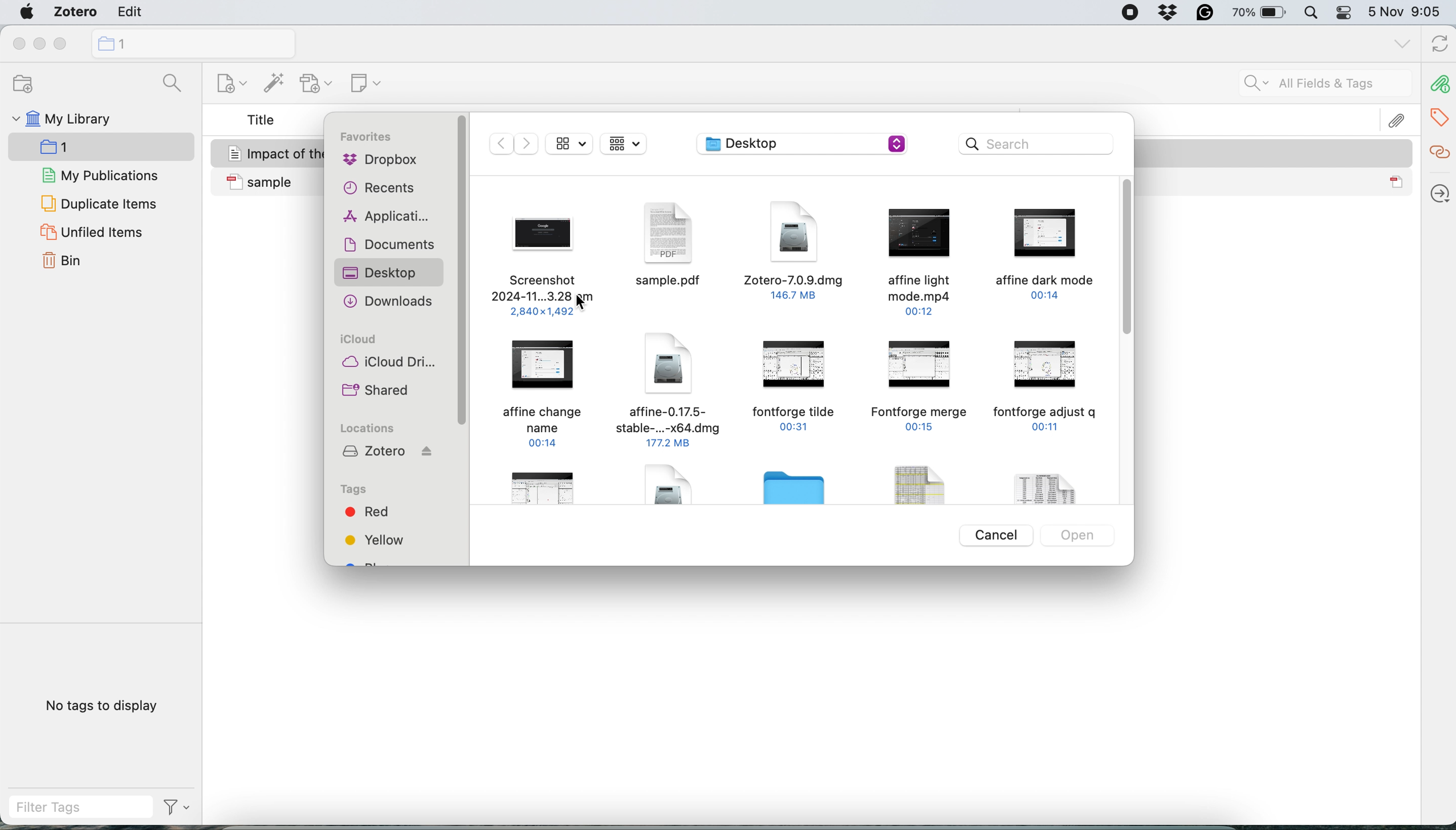 The width and height of the screenshot is (1456, 830). Describe the element at coordinates (361, 490) in the screenshot. I see `tags` at that location.